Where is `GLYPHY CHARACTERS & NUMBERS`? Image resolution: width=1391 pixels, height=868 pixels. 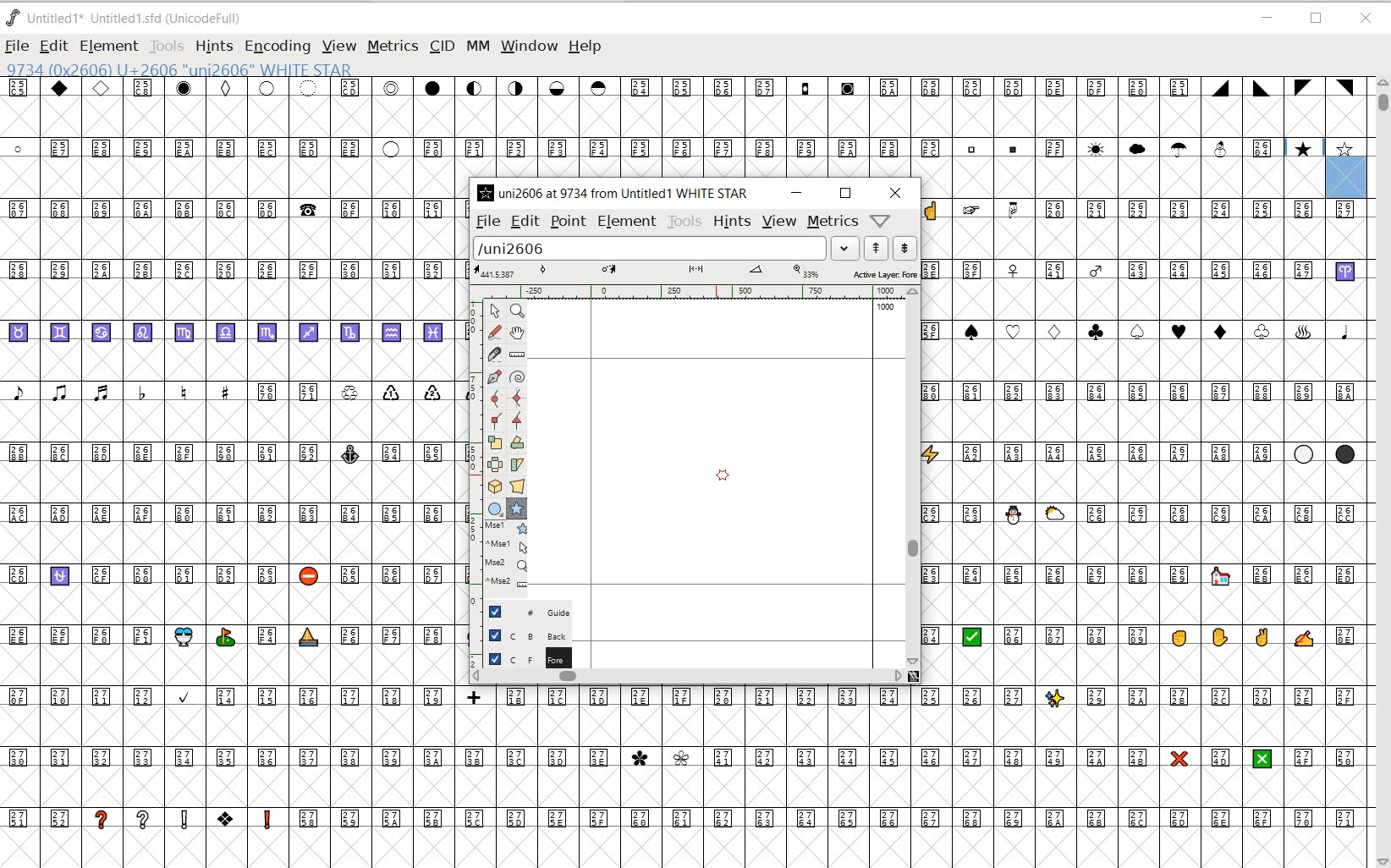
GLYPHY CHARACTERS & NUMBERS is located at coordinates (695, 774).